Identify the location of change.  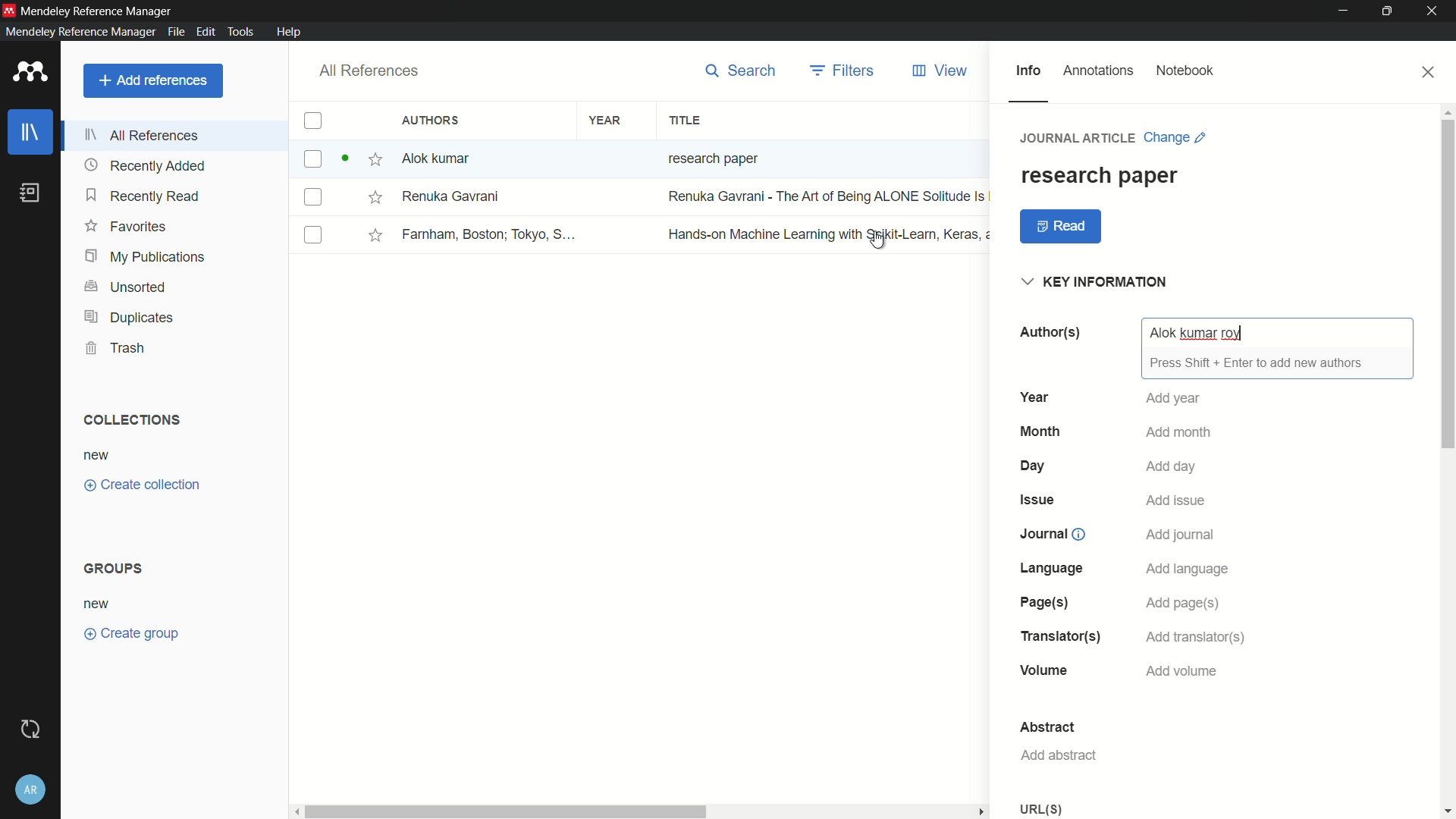
(1175, 137).